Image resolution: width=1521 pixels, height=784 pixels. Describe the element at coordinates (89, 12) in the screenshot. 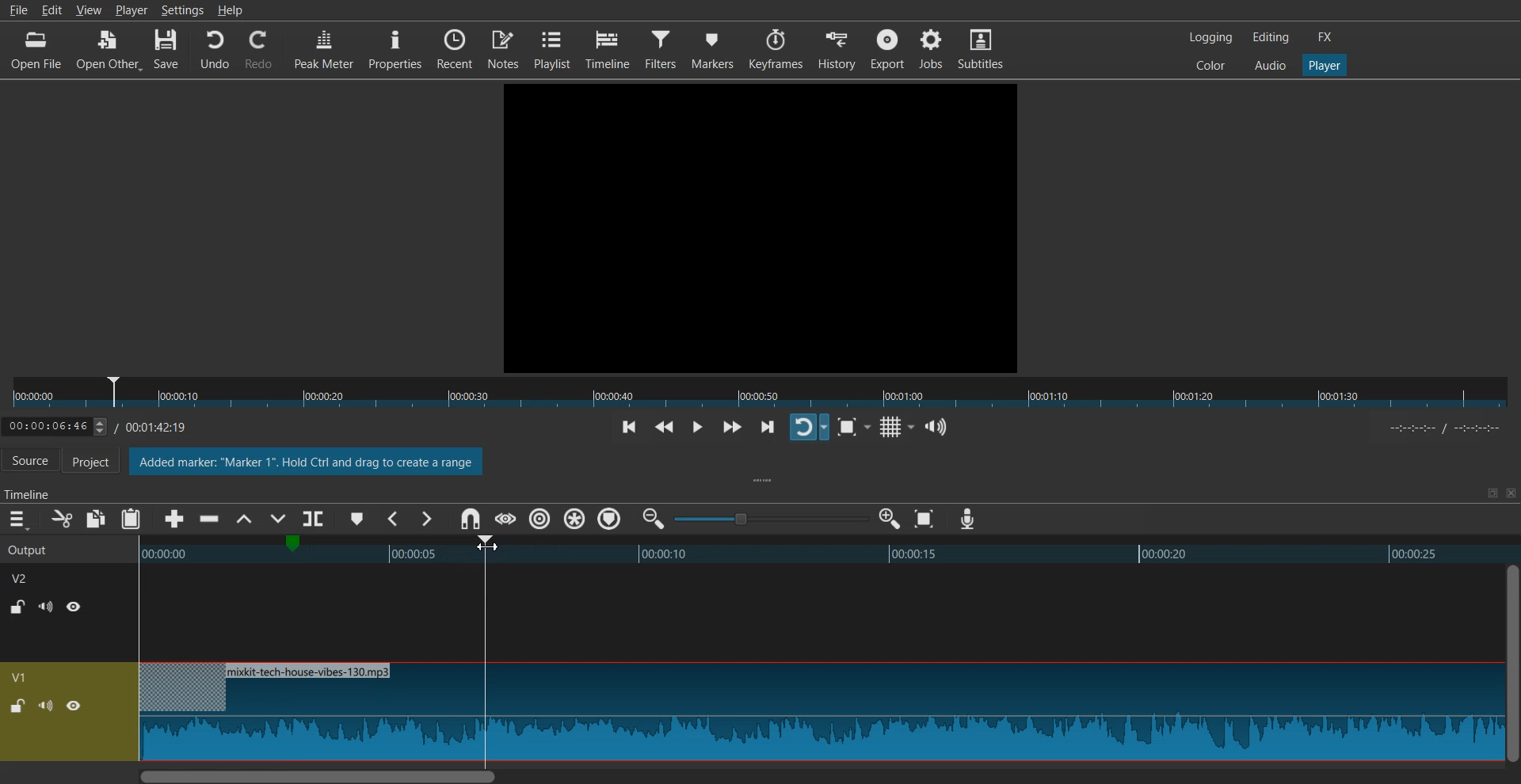

I see `View` at that location.